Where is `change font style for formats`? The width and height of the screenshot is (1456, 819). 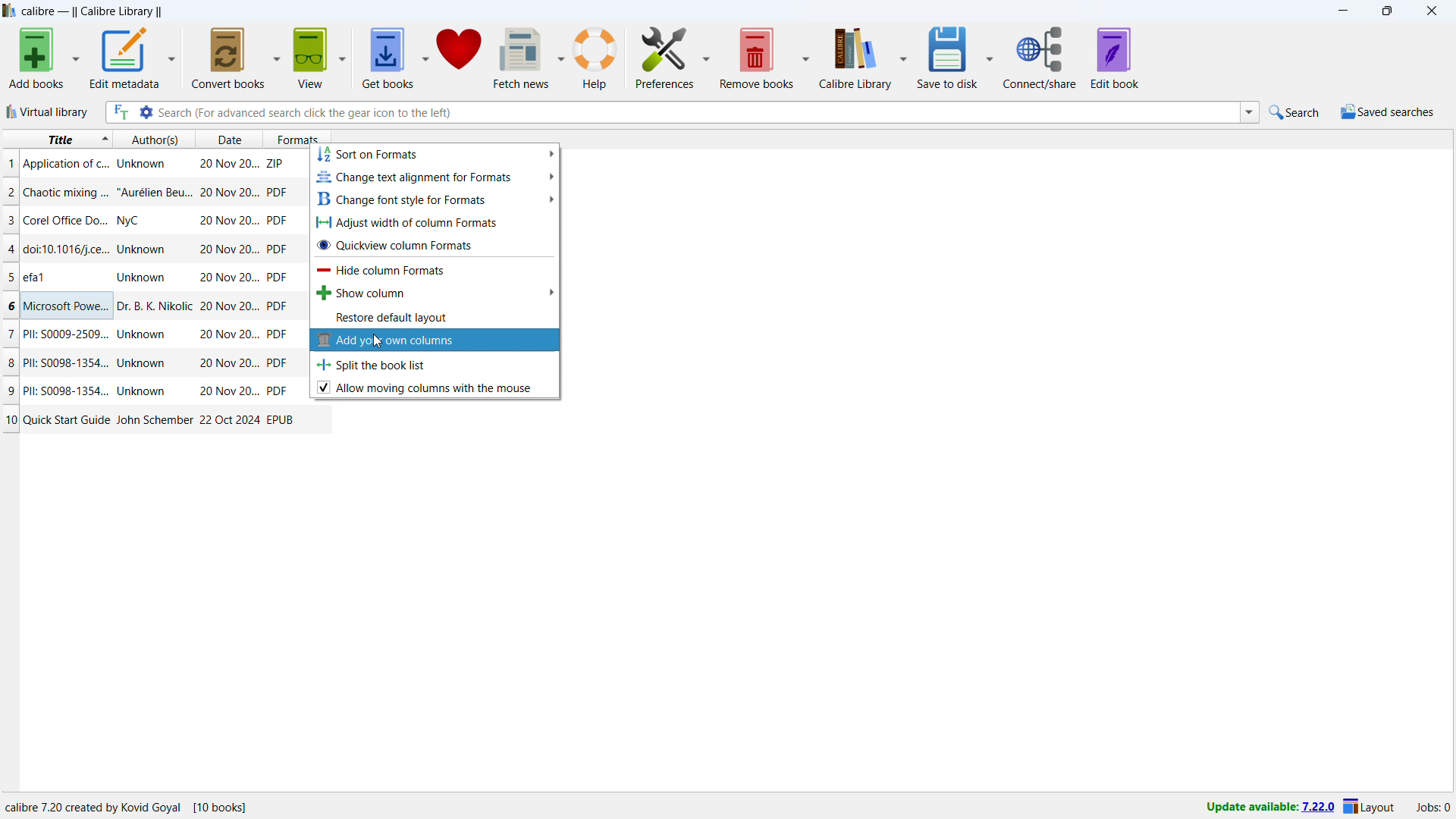
change font style for formats is located at coordinates (435, 198).